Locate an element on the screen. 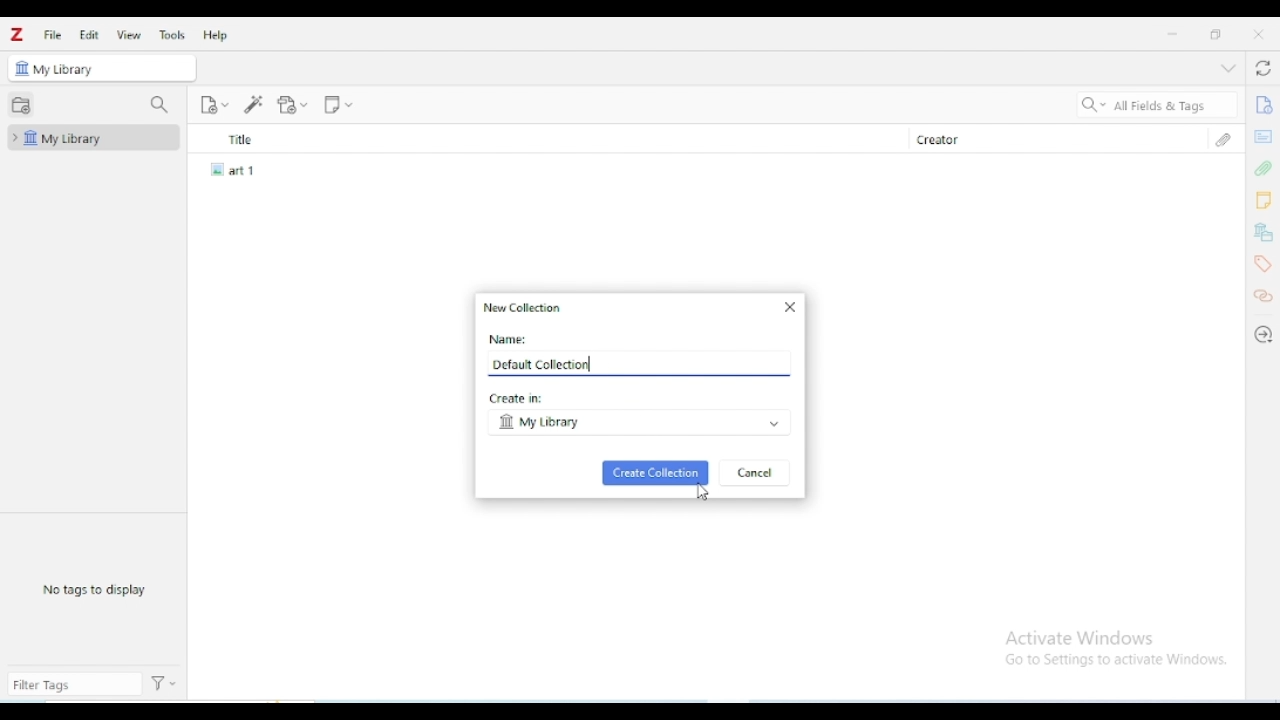  file is located at coordinates (52, 34).